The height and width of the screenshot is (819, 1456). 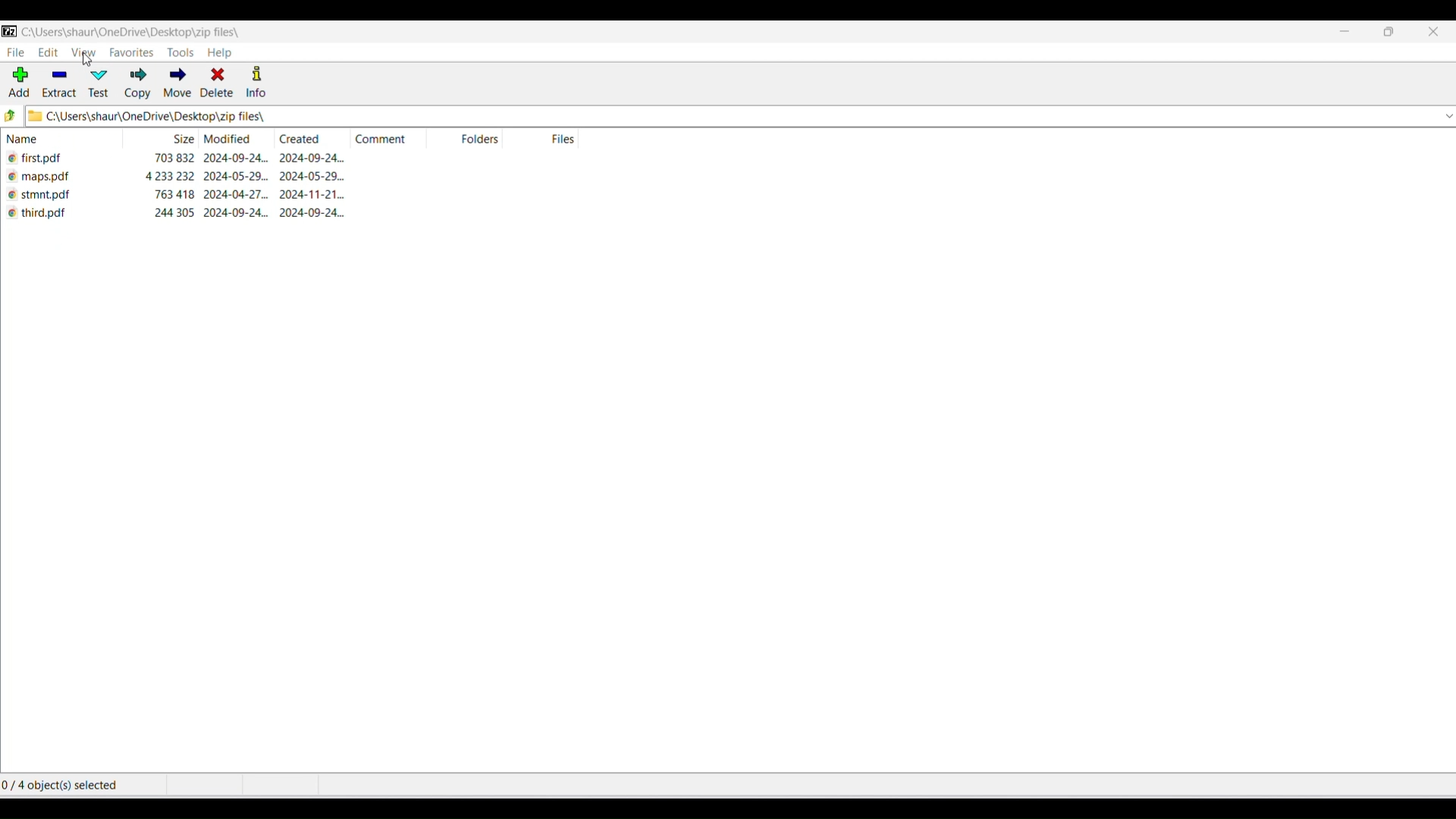 I want to click on modification date, so click(x=240, y=177).